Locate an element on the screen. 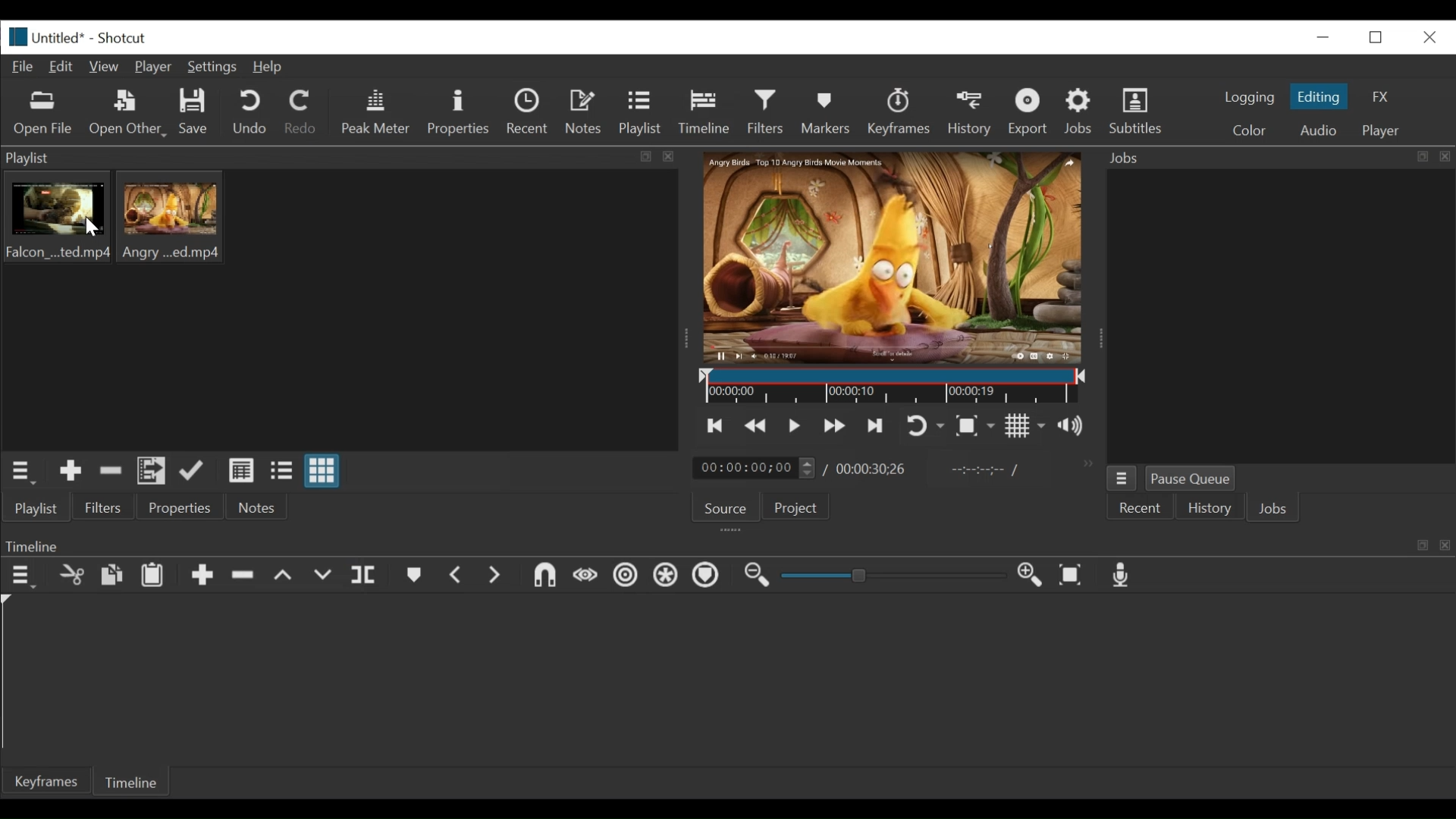 The height and width of the screenshot is (819, 1456). skip to the next point is located at coordinates (877, 425).